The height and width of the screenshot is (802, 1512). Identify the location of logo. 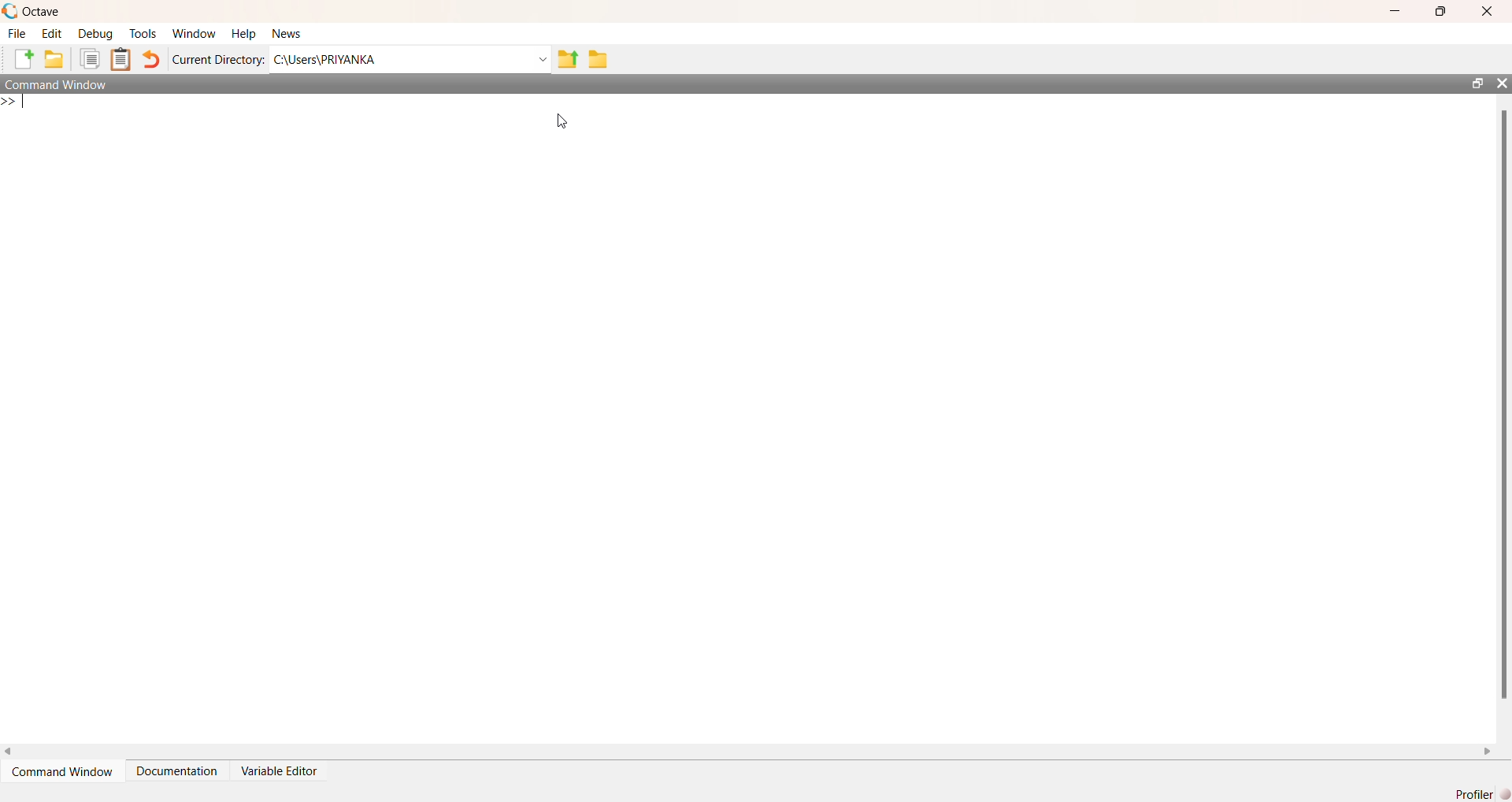
(9, 10).